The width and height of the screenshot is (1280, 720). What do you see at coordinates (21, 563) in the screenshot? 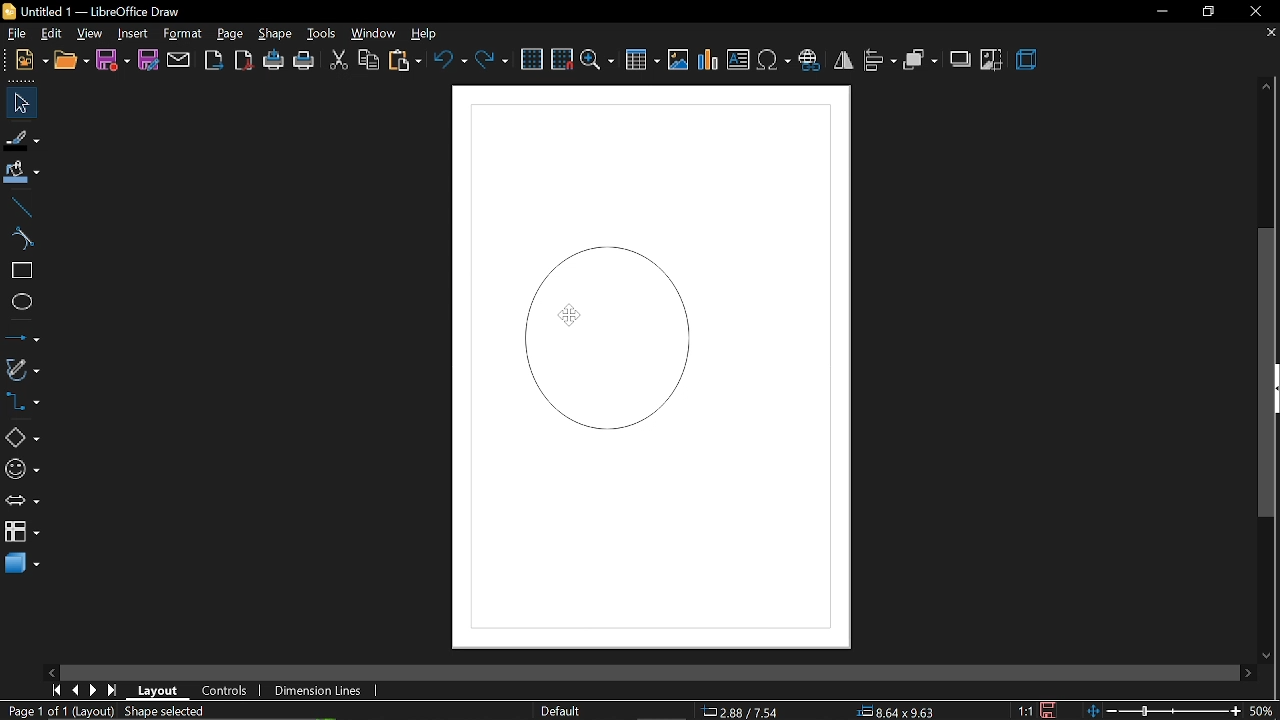
I see `3d shapes` at bounding box center [21, 563].